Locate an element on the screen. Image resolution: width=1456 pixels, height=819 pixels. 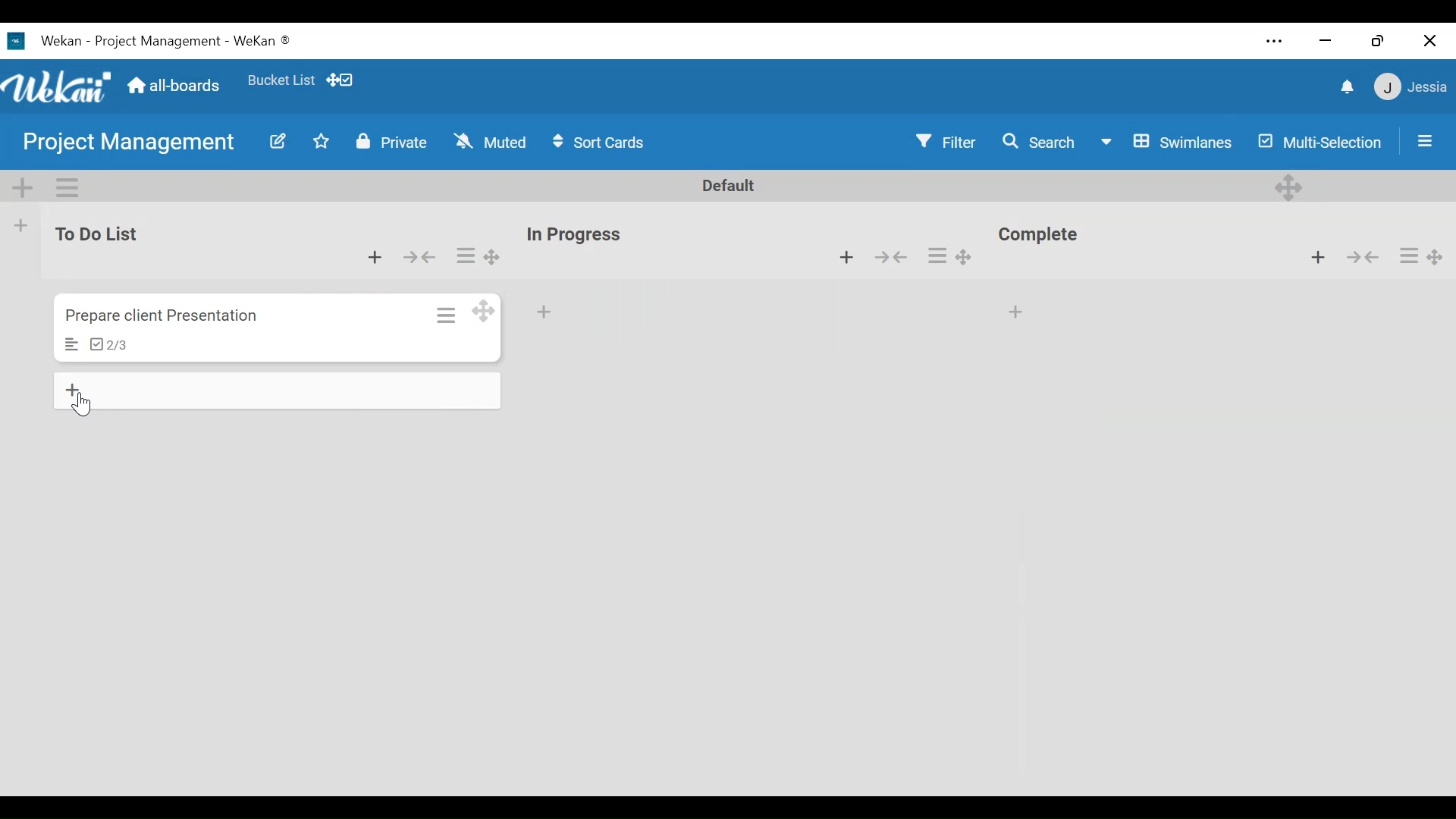
Desktop drag handle is located at coordinates (972, 254).